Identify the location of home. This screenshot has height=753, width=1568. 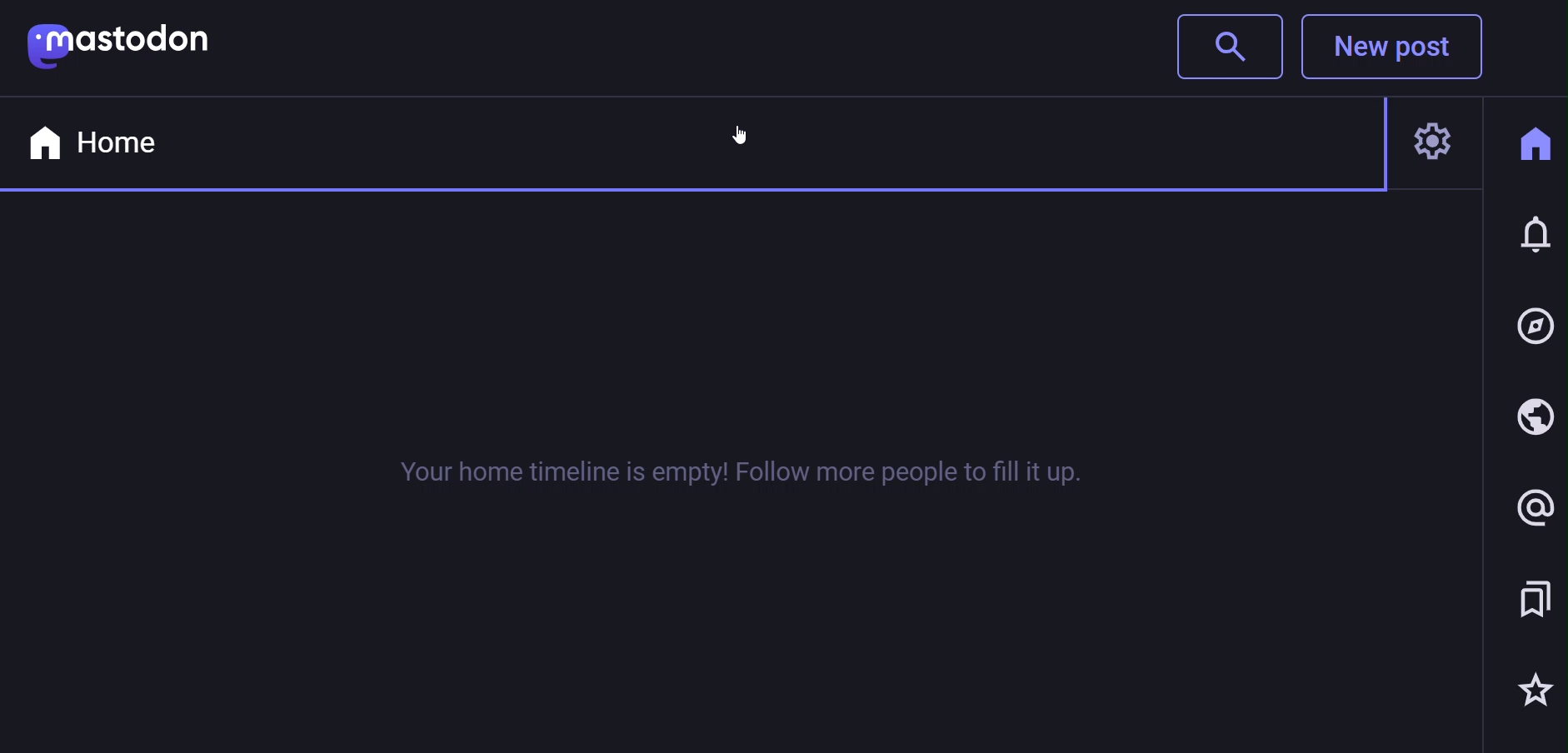
(94, 142).